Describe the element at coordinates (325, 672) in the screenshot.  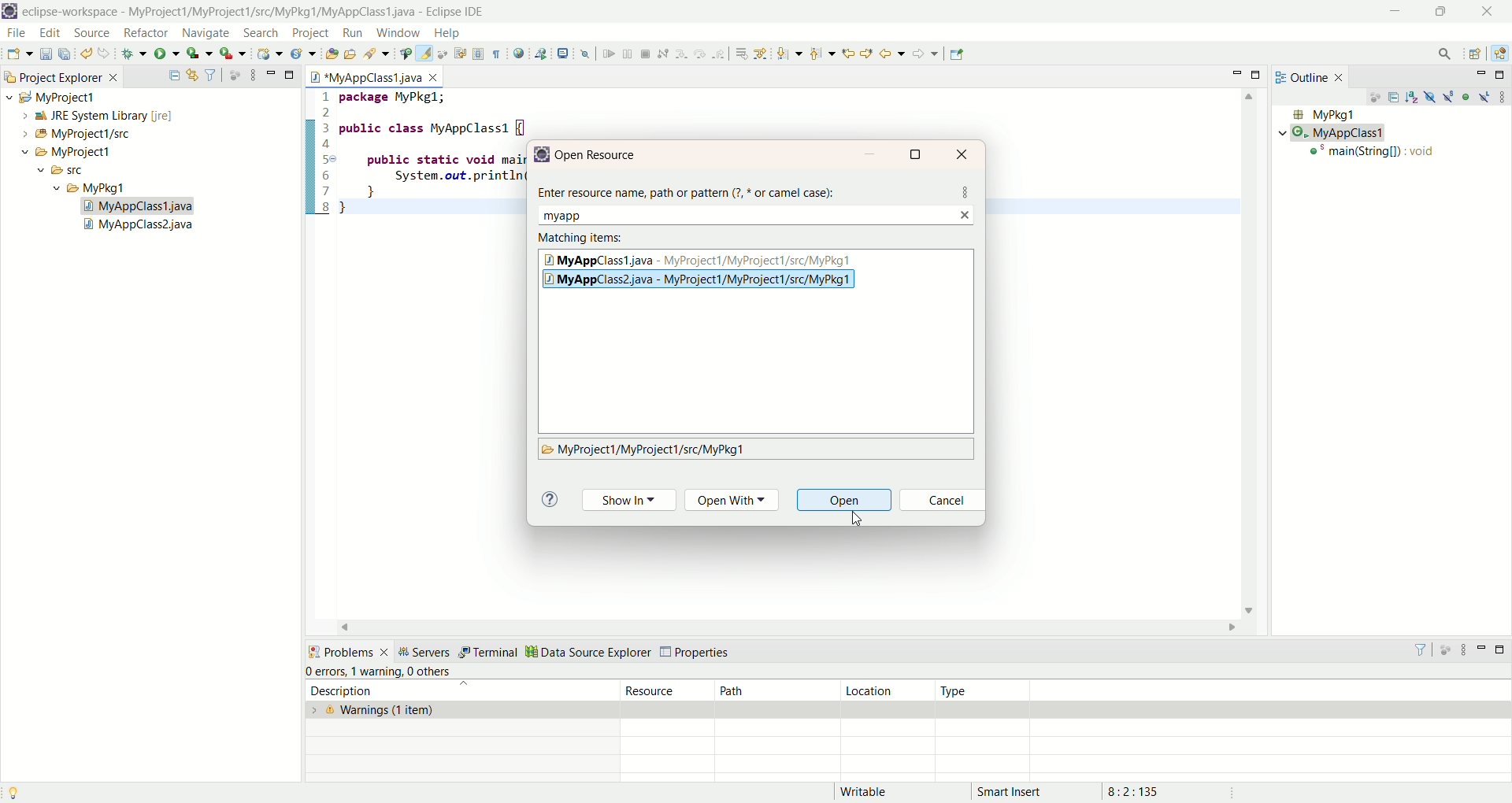
I see `errors` at that location.